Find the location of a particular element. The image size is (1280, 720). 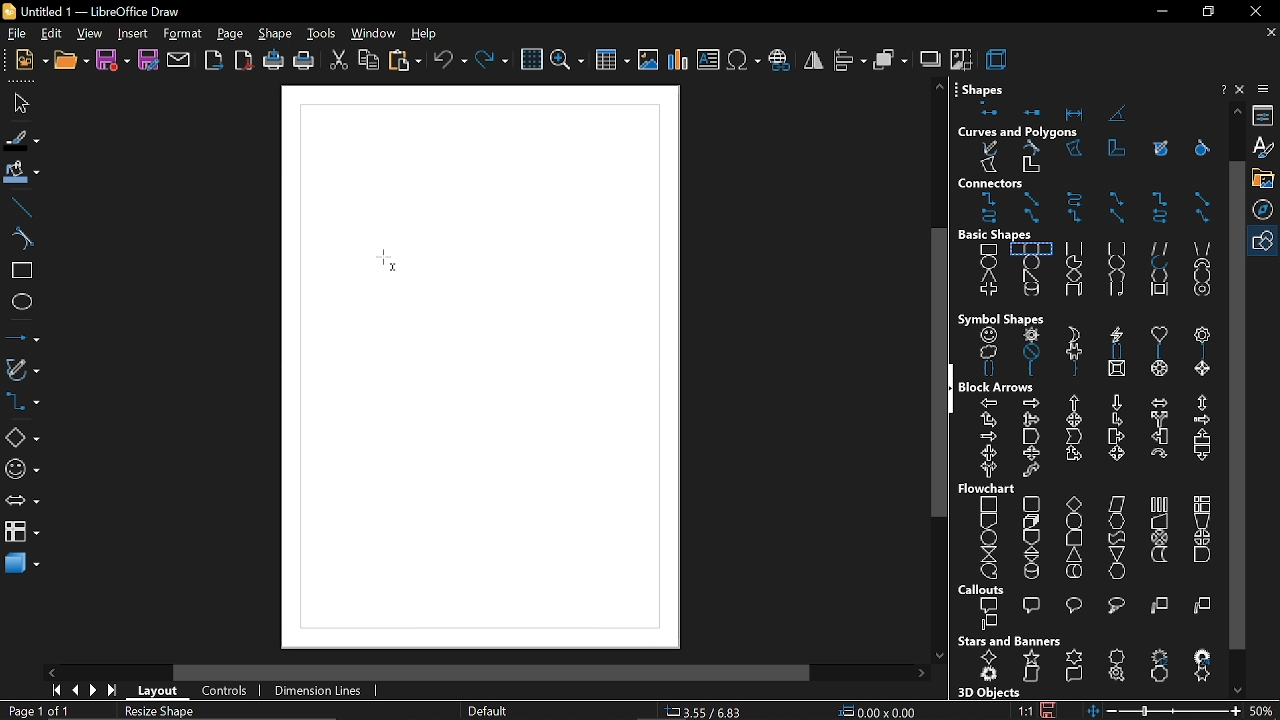

insert is located at coordinates (132, 35).